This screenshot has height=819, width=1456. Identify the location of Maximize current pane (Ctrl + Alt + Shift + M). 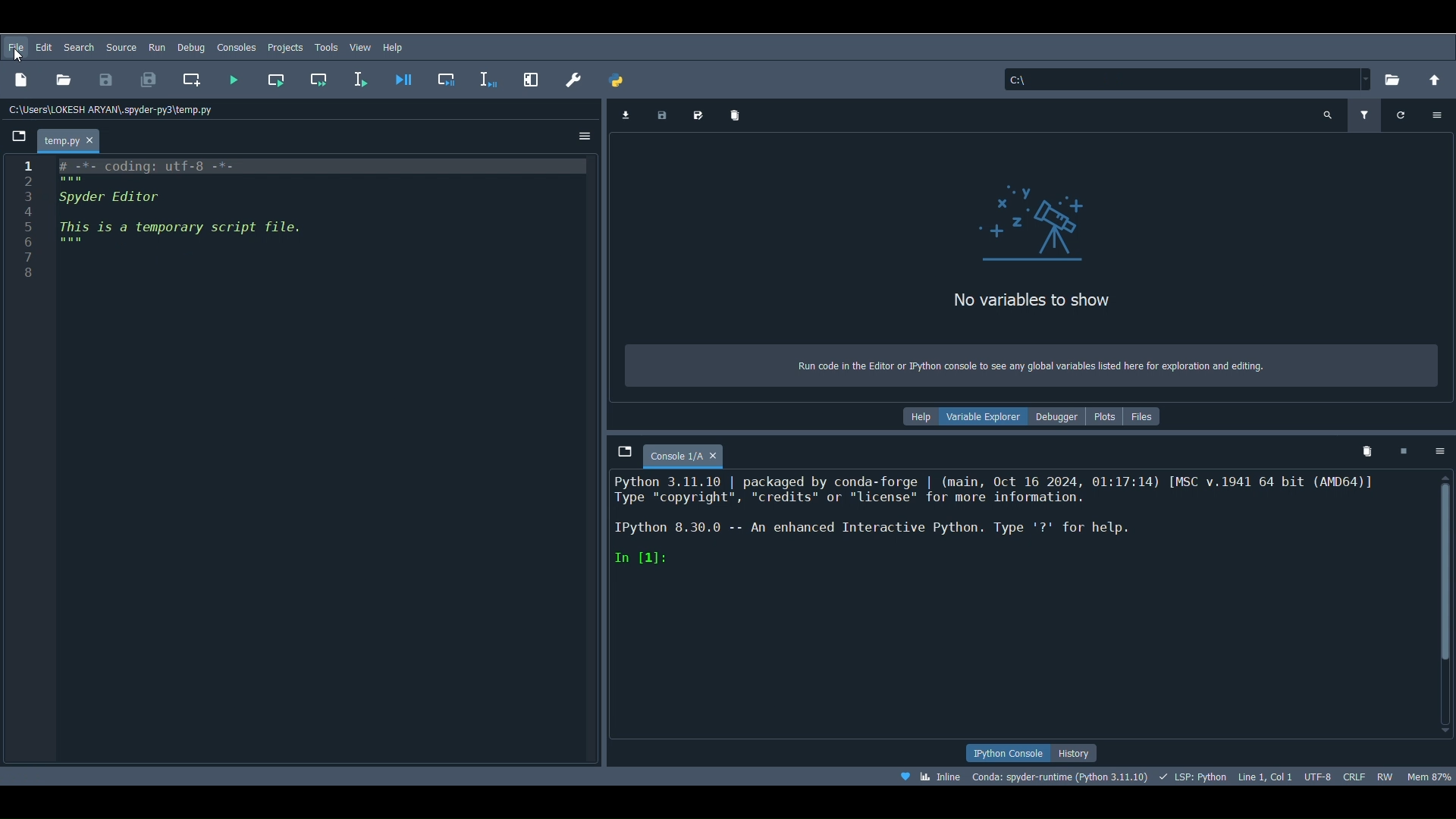
(532, 77).